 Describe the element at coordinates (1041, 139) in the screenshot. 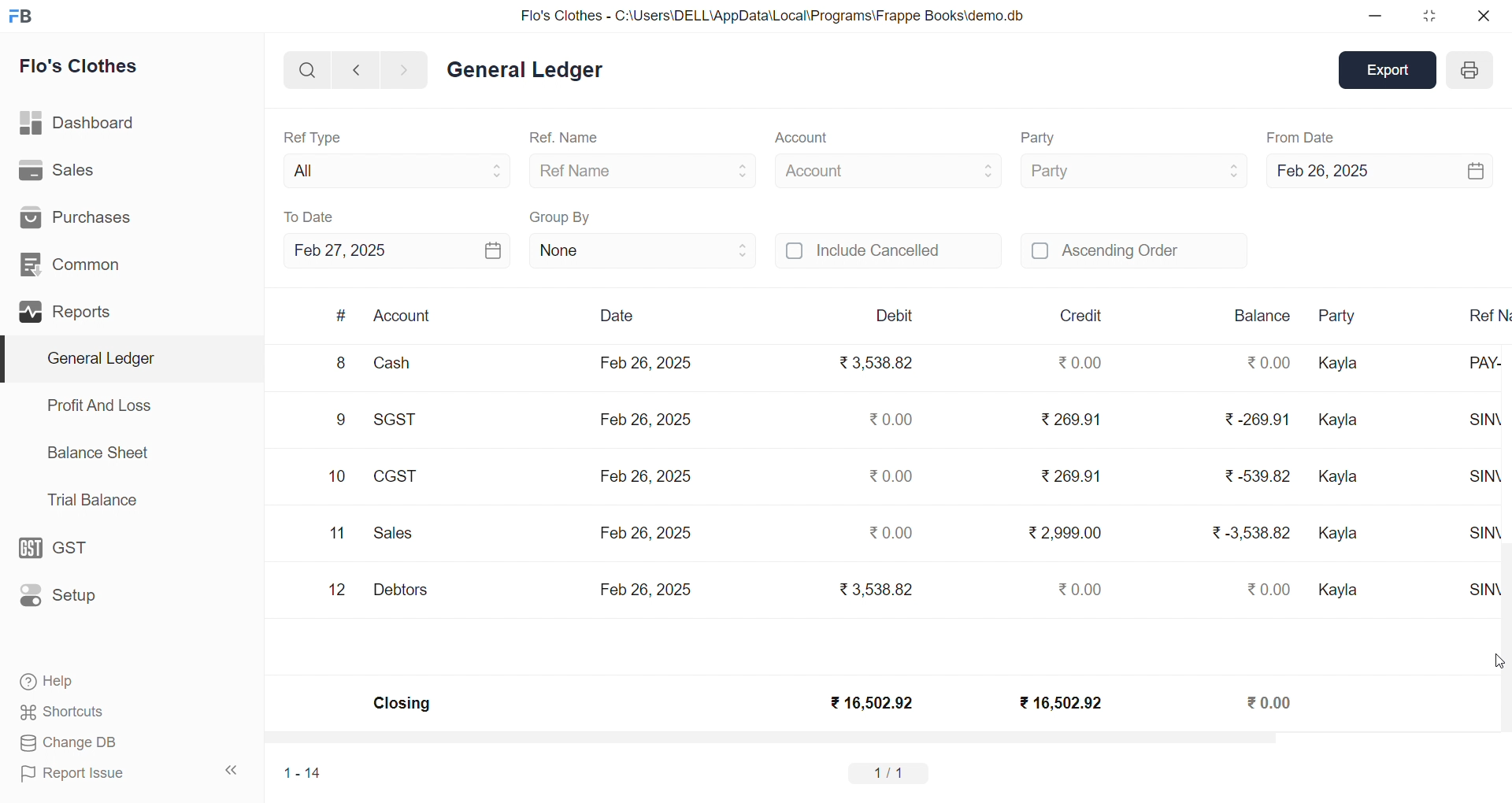

I see `Party` at that location.